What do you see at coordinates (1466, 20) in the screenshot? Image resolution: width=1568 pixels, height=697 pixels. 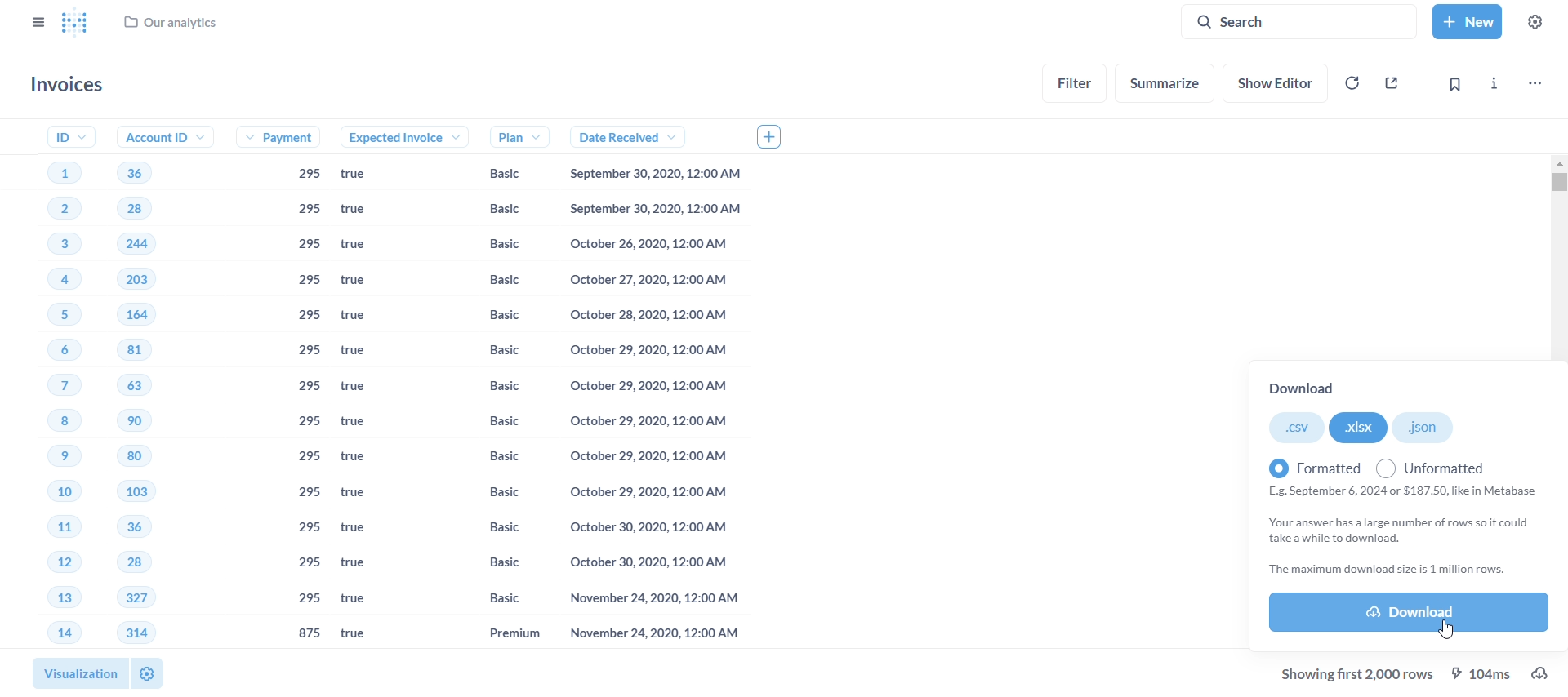 I see `new` at bounding box center [1466, 20].